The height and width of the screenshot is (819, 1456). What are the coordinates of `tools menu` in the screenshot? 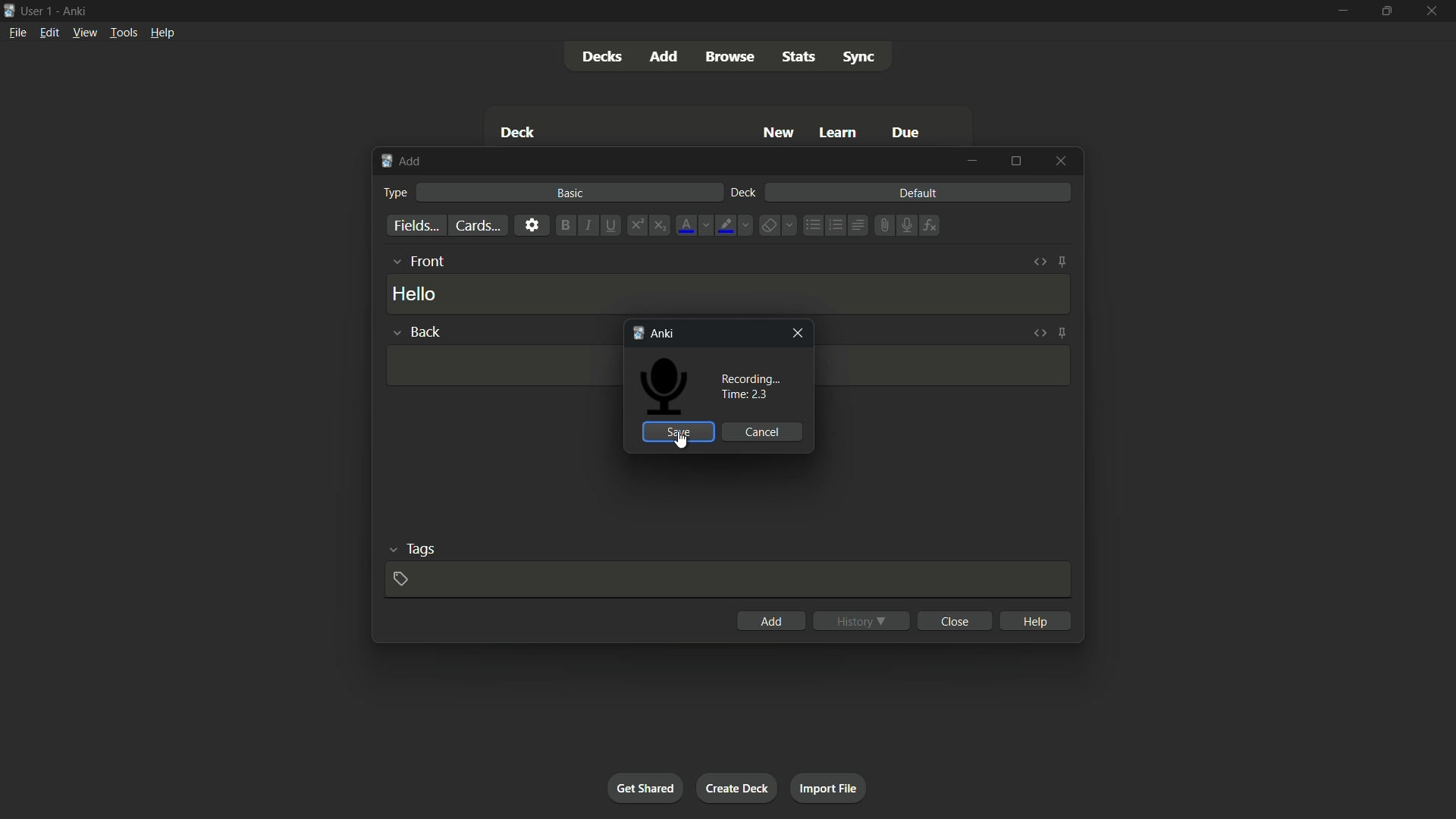 It's located at (124, 32).